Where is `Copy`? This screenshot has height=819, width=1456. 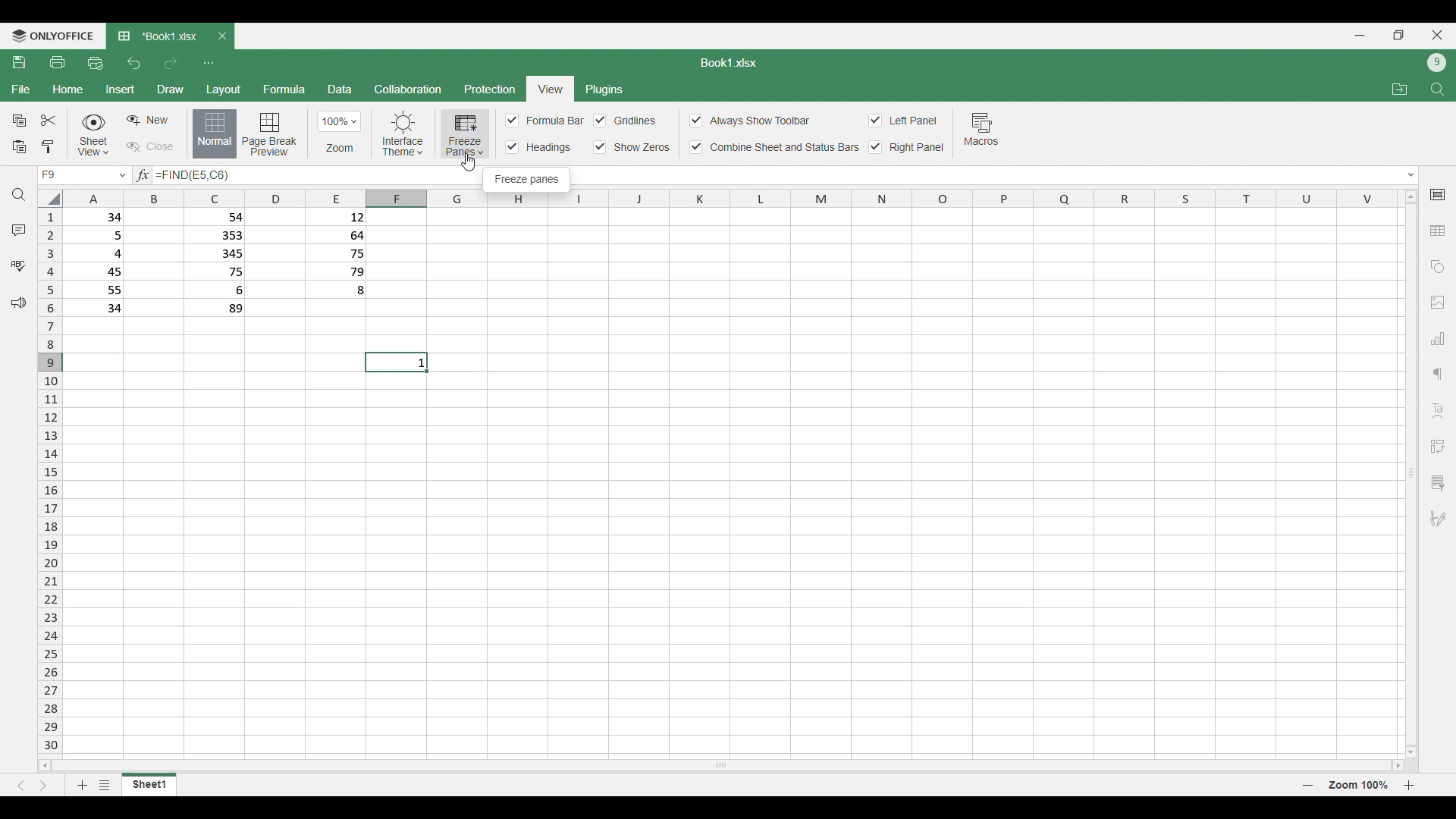
Copy is located at coordinates (19, 121).